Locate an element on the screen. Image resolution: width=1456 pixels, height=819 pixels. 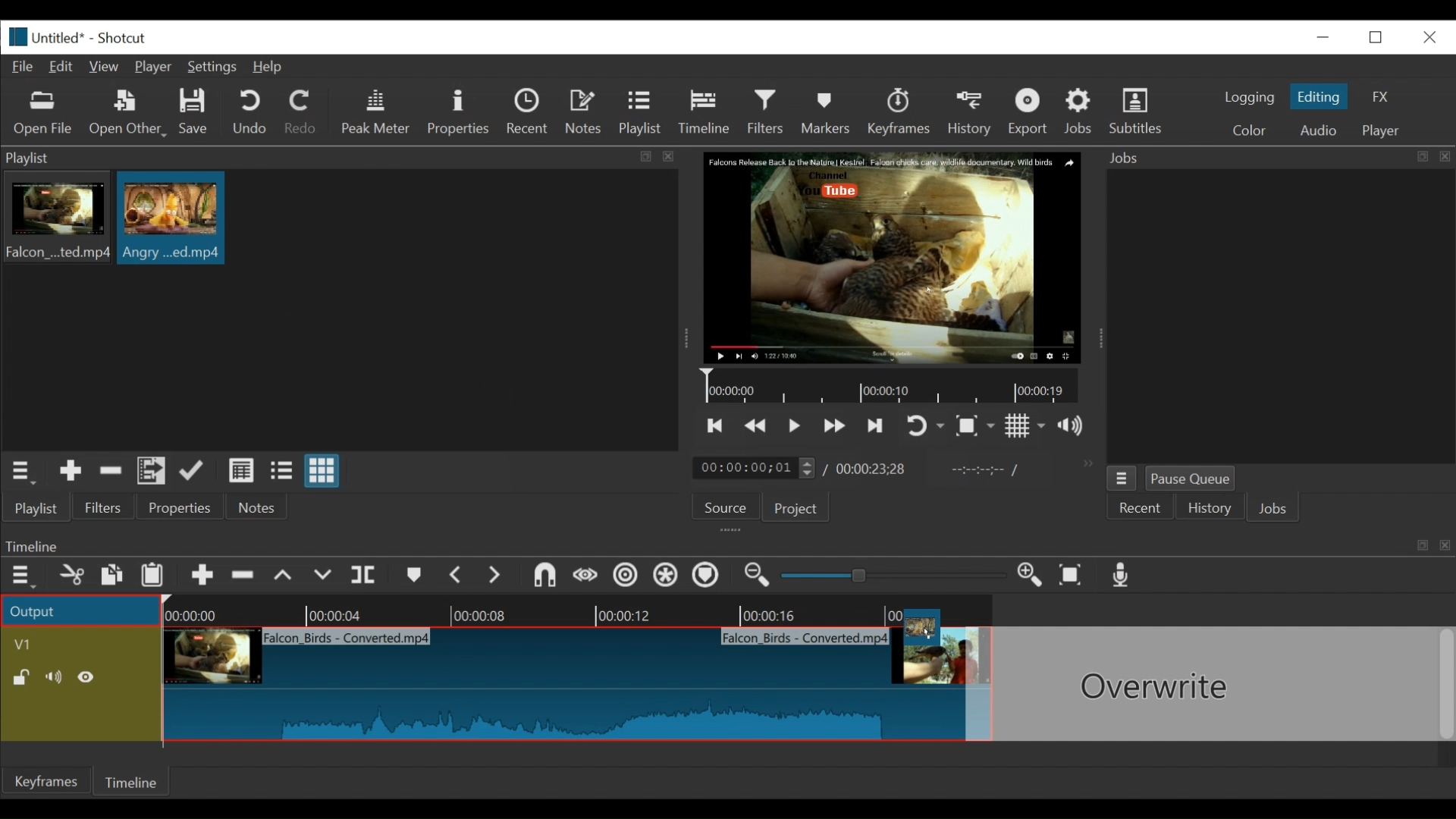
Player is located at coordinates (157, 68).